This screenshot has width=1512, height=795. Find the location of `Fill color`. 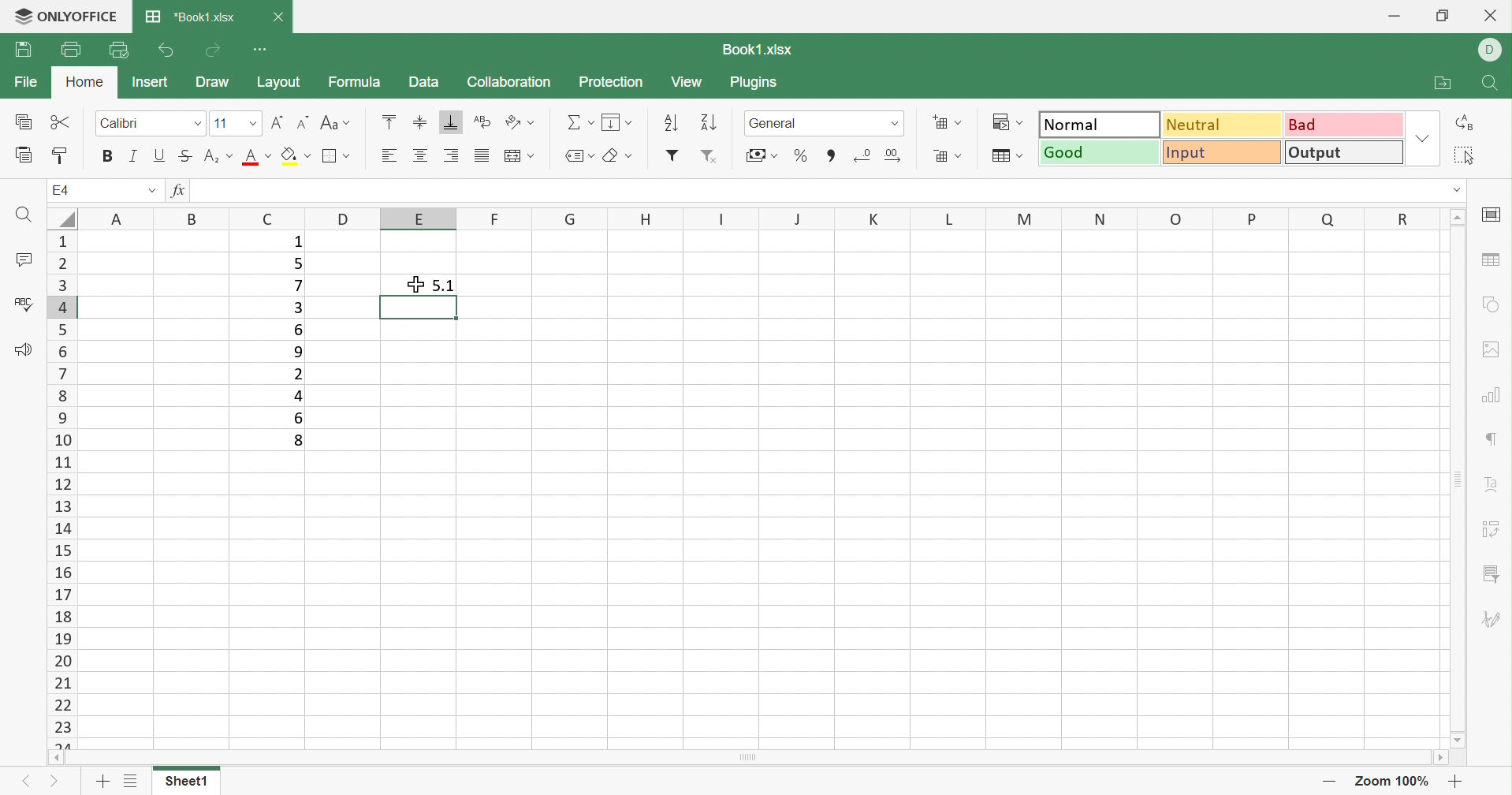

Fill color is located at coordinates (296, 155).